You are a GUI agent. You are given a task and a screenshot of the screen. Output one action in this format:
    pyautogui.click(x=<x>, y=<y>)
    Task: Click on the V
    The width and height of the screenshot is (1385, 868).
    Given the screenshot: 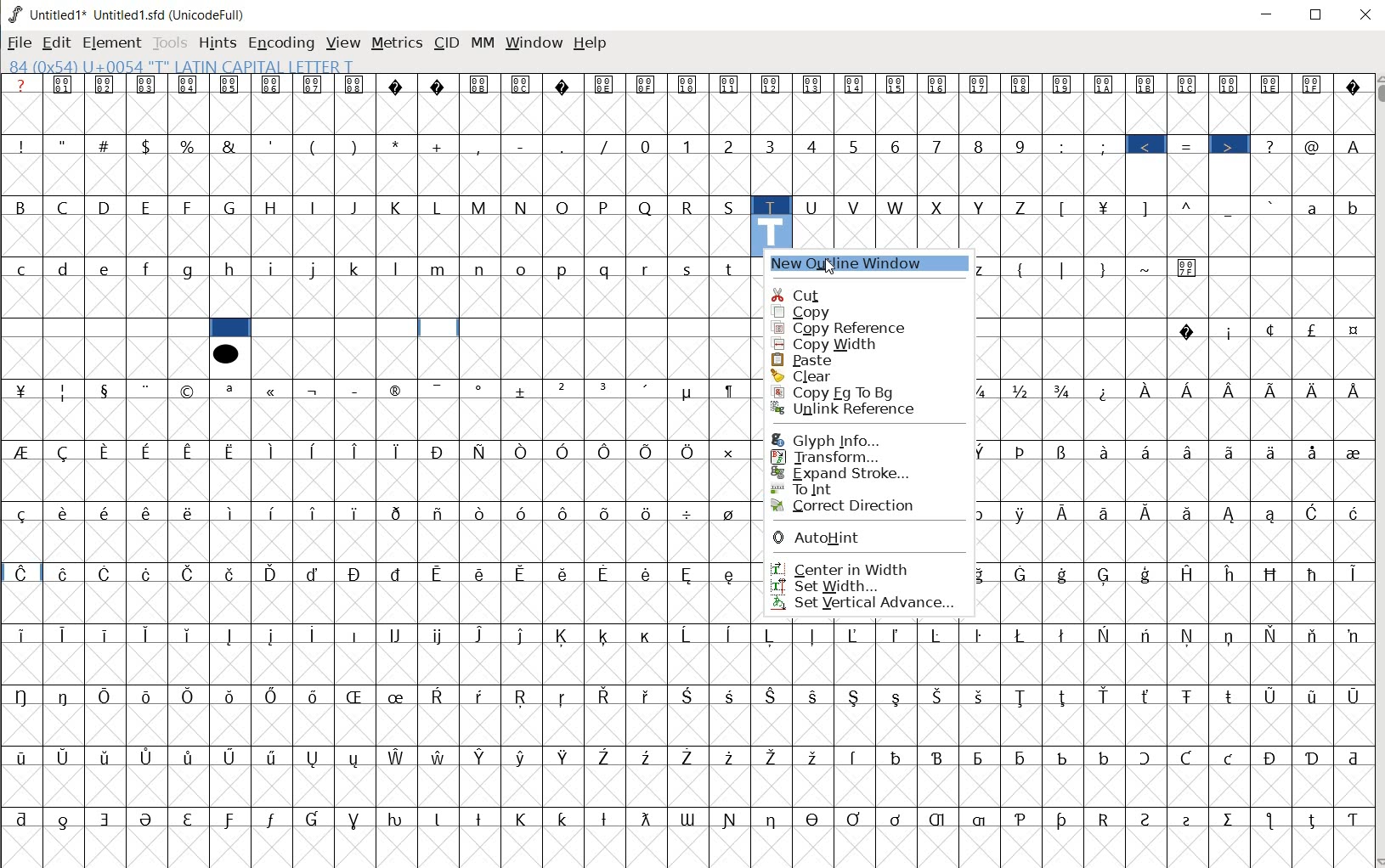 What is the action you would take?
    pyautogui.click(x=856, y=208)
    